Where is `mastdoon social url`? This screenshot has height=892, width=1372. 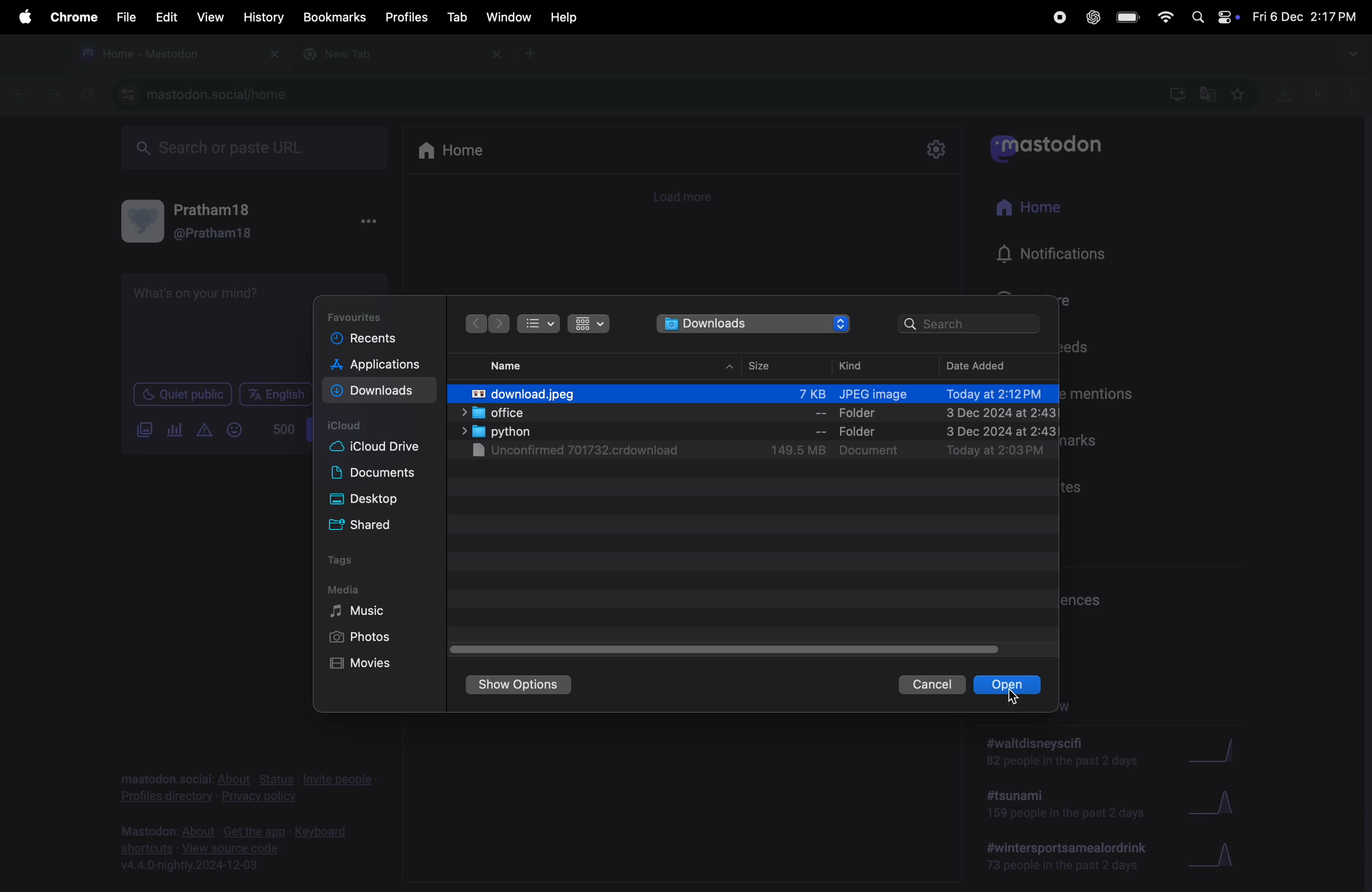 mastdoon social url is located at coordinates (205, 93).